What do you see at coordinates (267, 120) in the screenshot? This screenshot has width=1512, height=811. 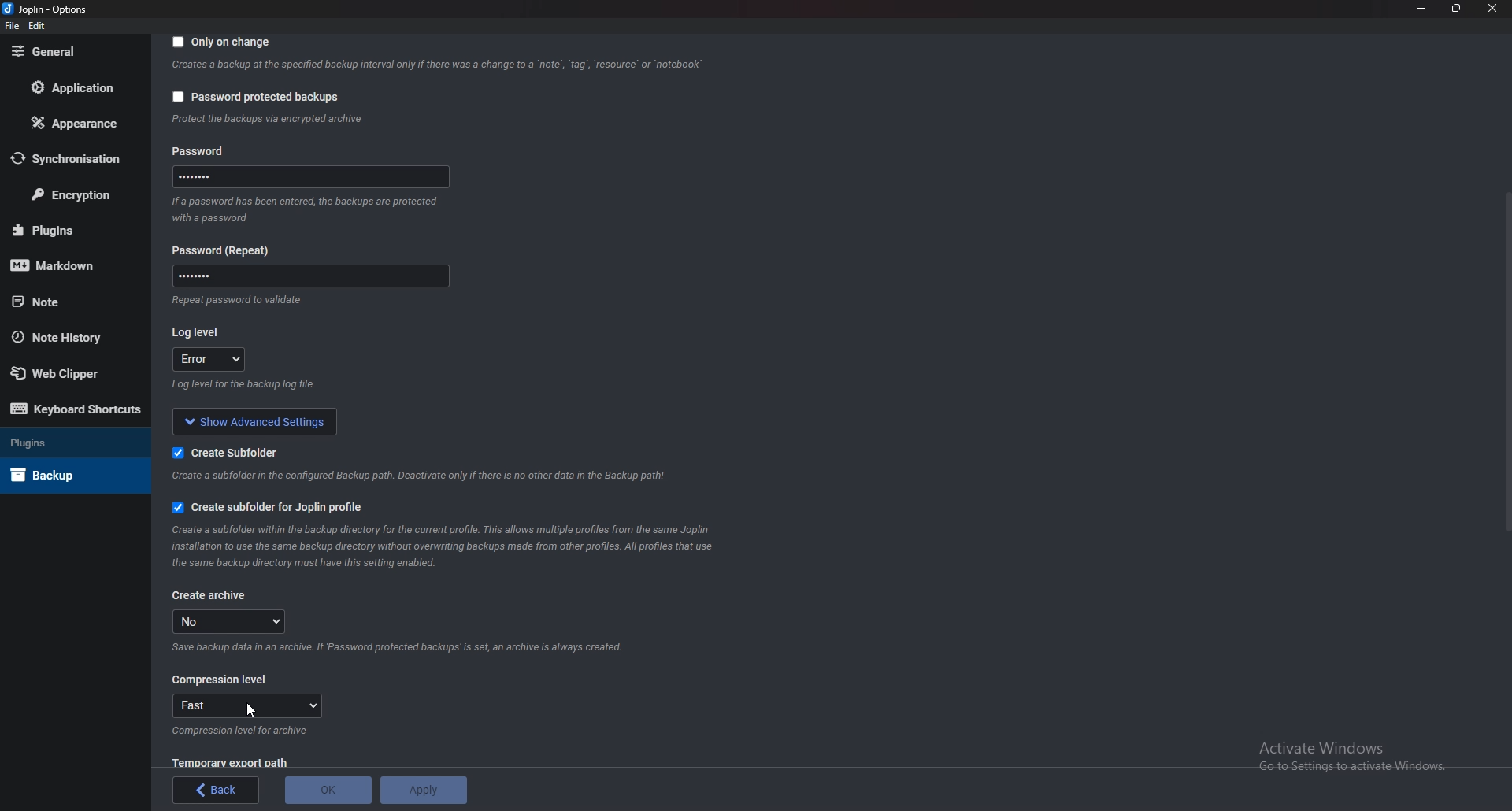 I see `info` at bounding box center [267, 120].